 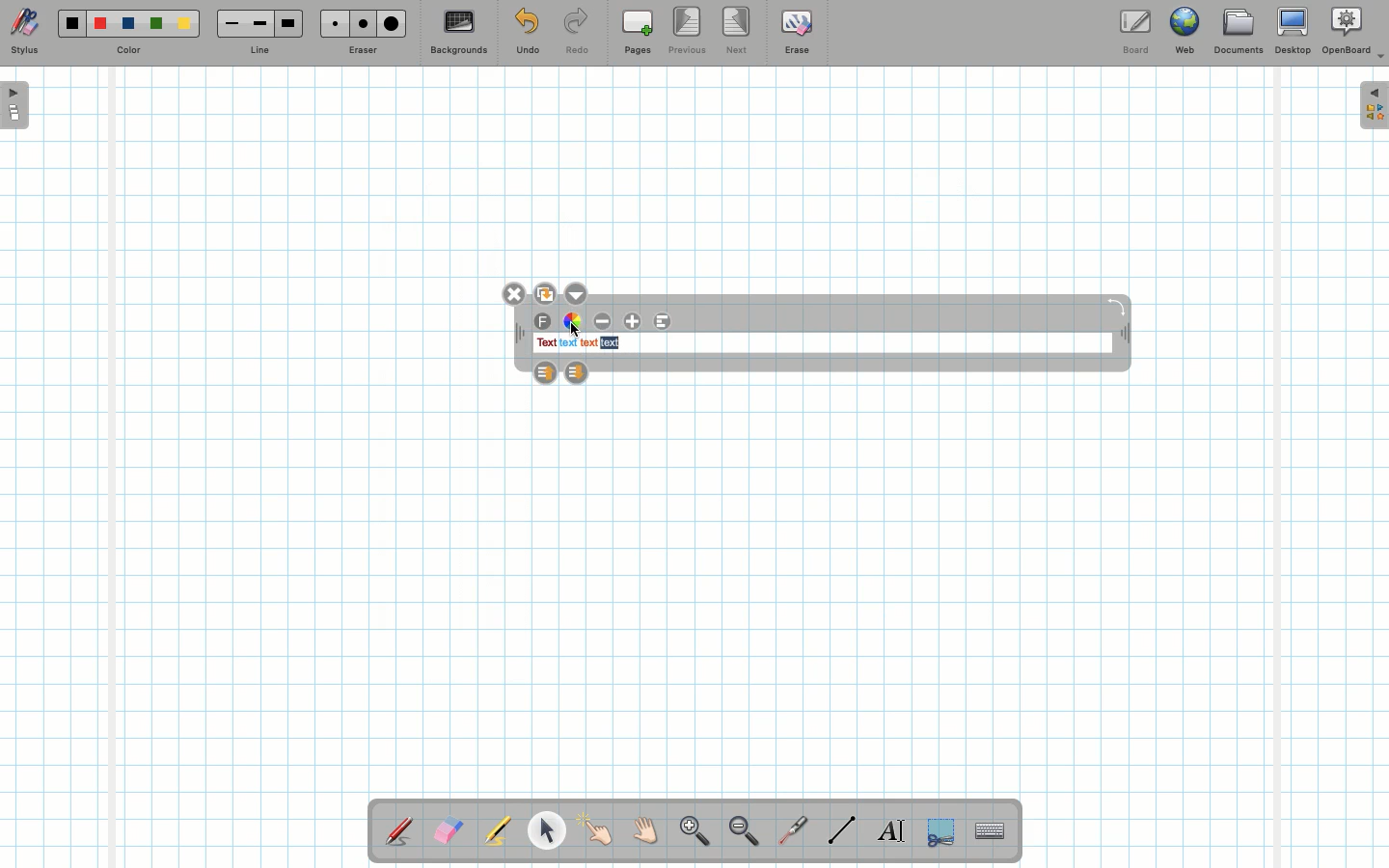 I want to click on Selection, so click(x=939, y=829).